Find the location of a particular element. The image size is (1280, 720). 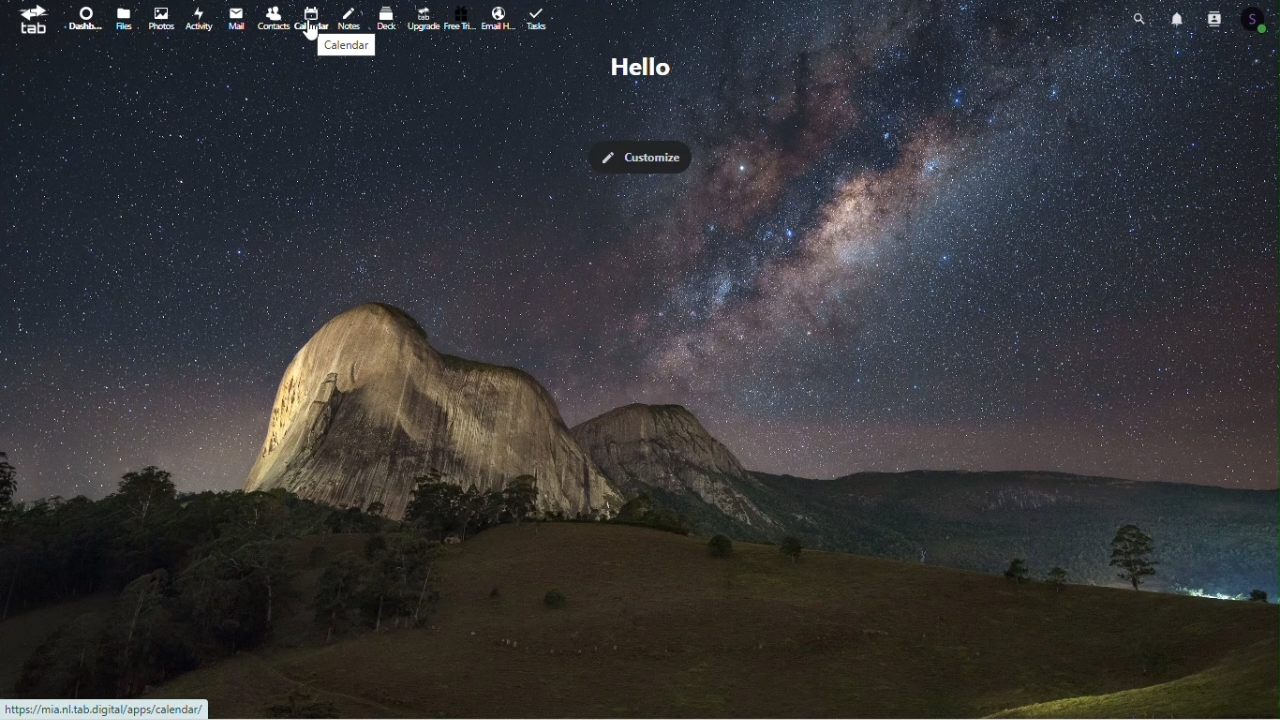

contacts is located at coordinates (273, 17).